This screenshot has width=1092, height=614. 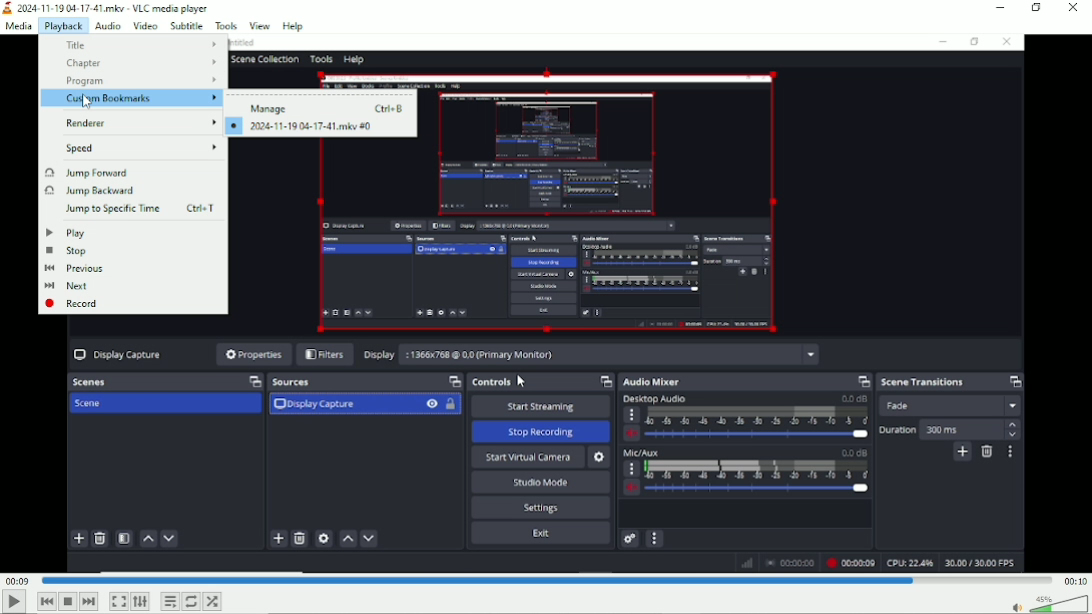 I want to click on view, so click(x=260, y=25).